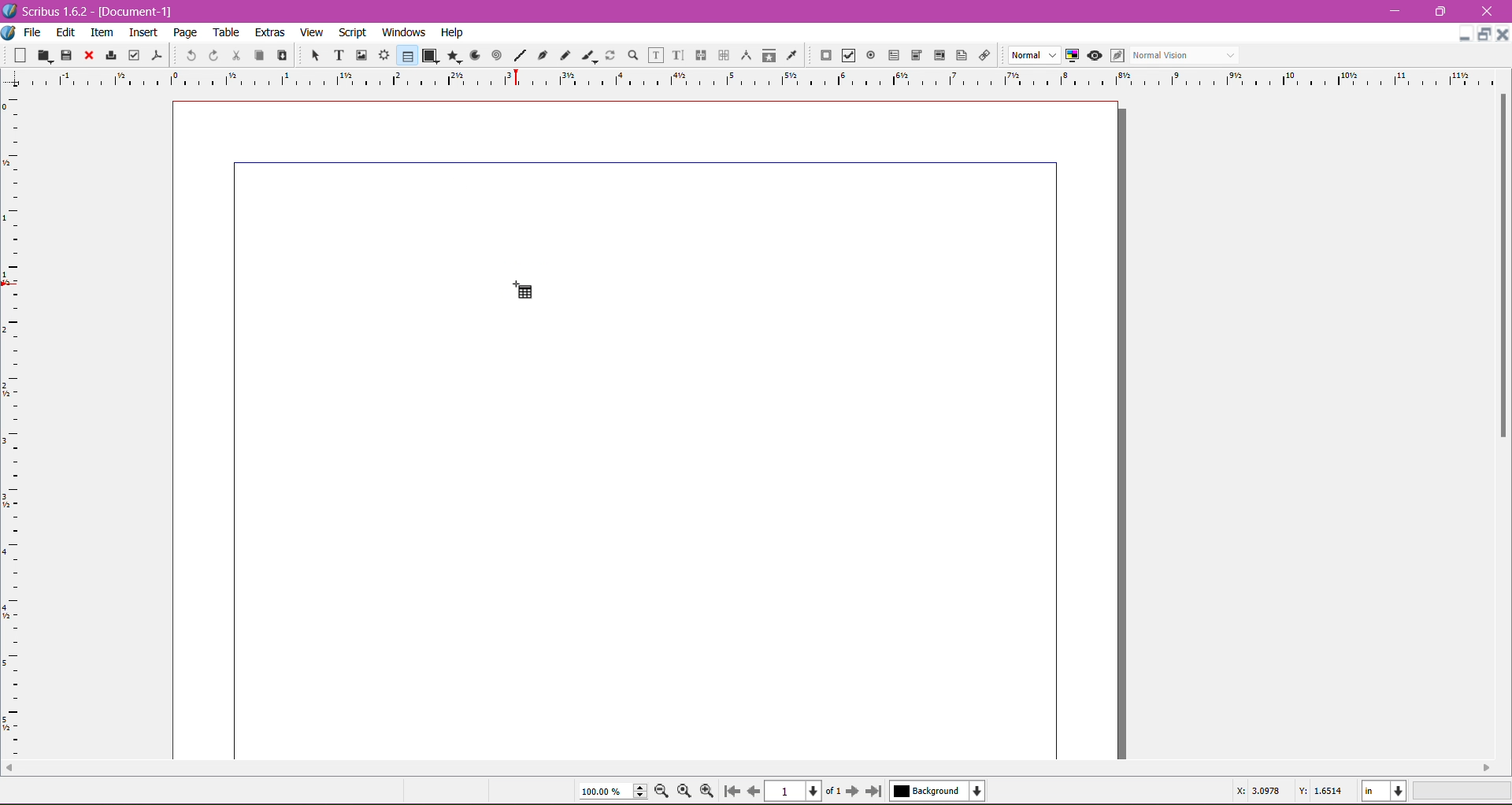 The image size is (1512, 805). I want to click on PDF combo box, so click(913, 56).